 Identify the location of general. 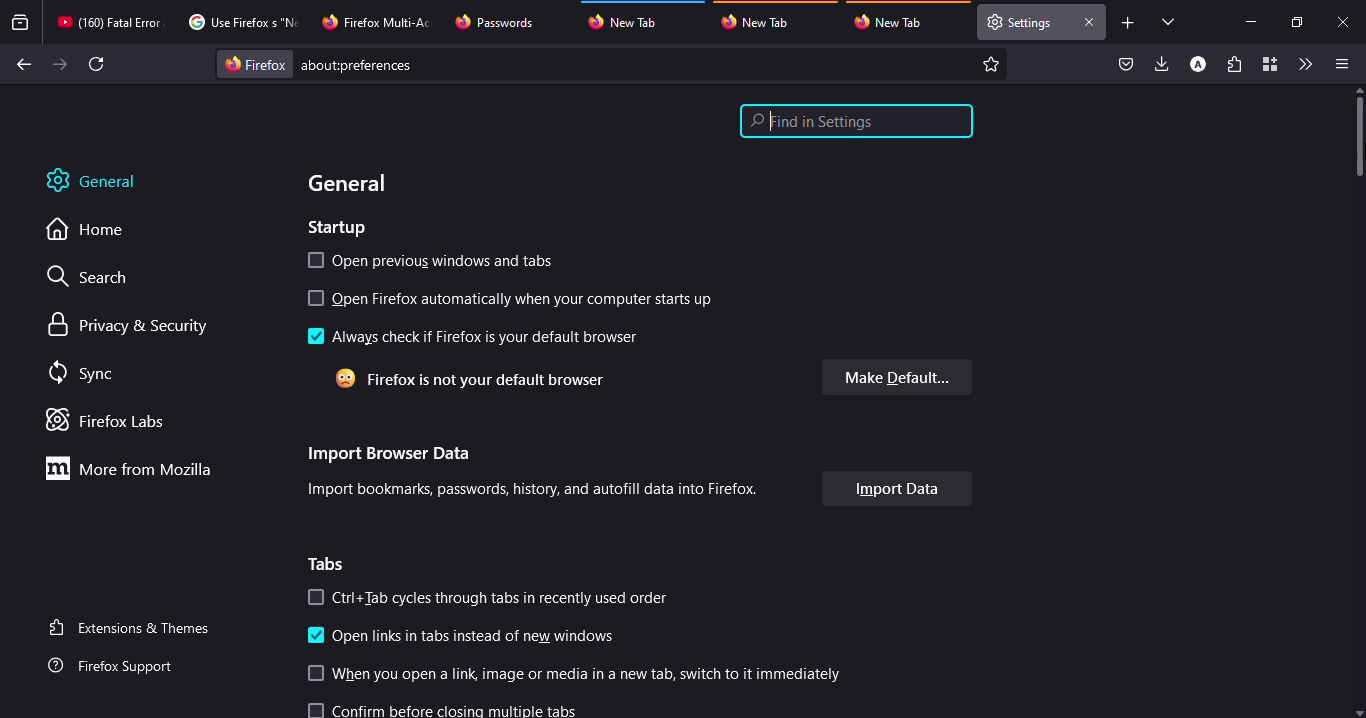
(105, 181).